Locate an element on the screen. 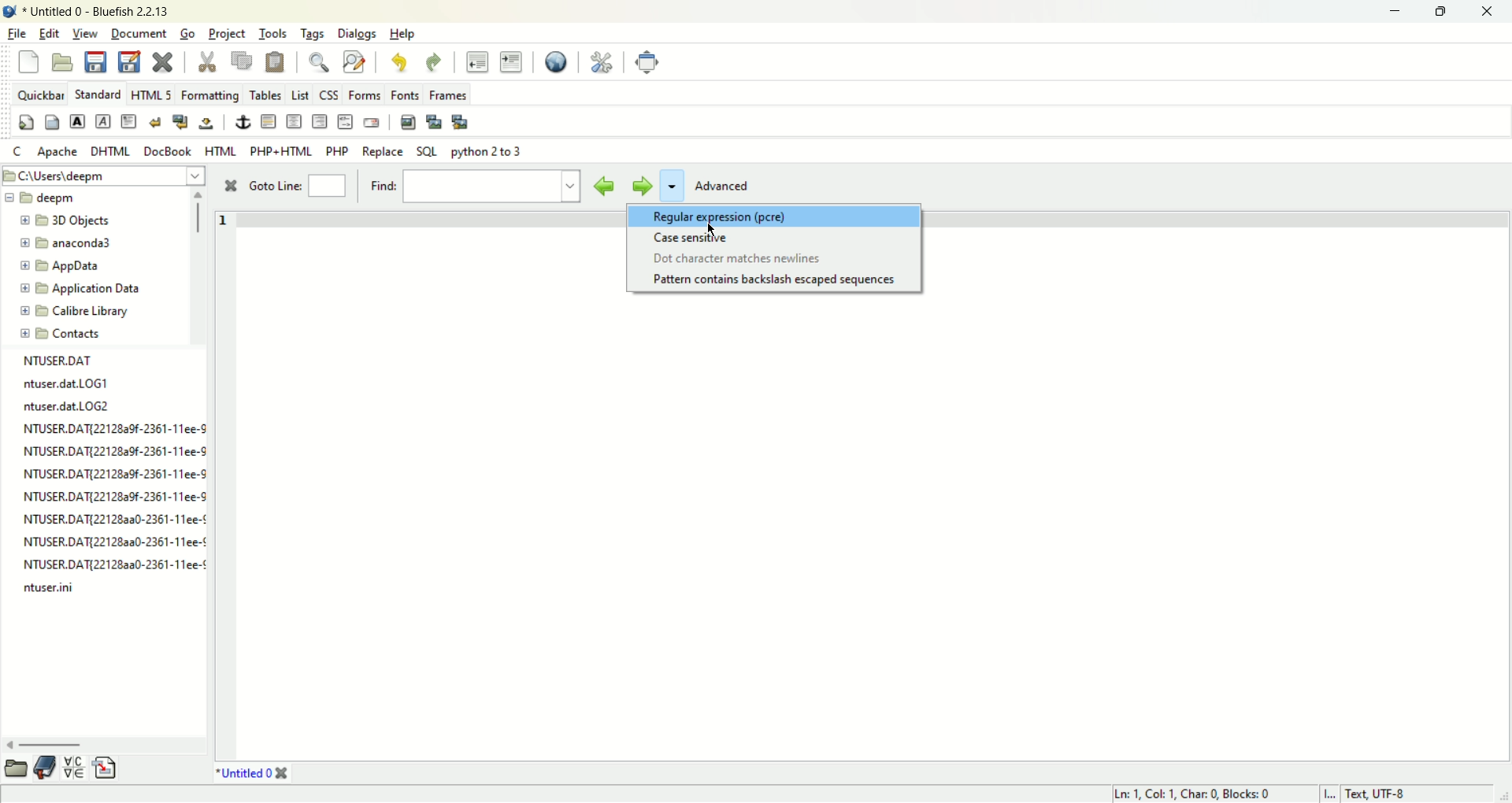 The image size is (1512, 803). goto line is located at coordinates (295, 187).